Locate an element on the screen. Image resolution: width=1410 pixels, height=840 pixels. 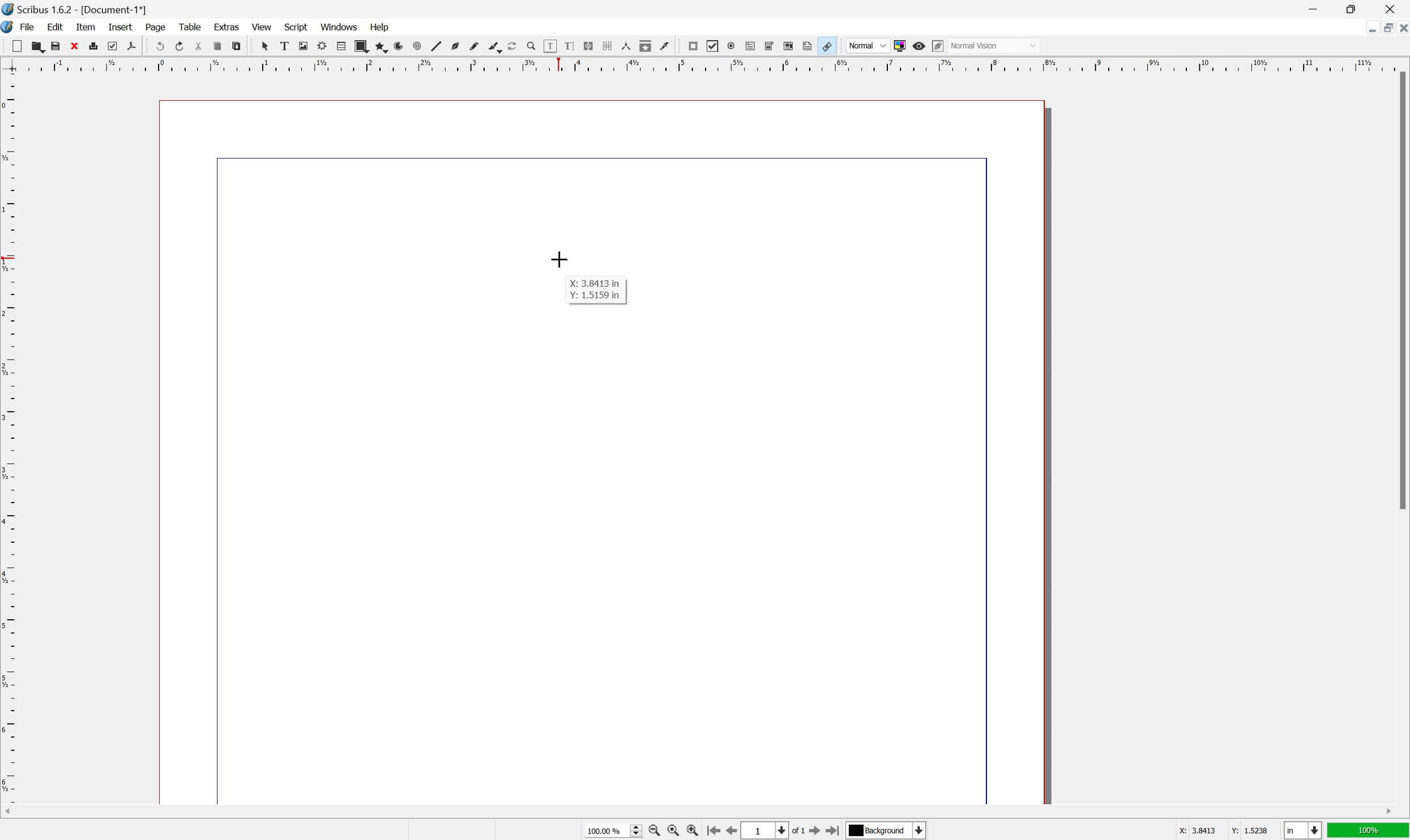
pdf push button is located at coordinates (693, 46).